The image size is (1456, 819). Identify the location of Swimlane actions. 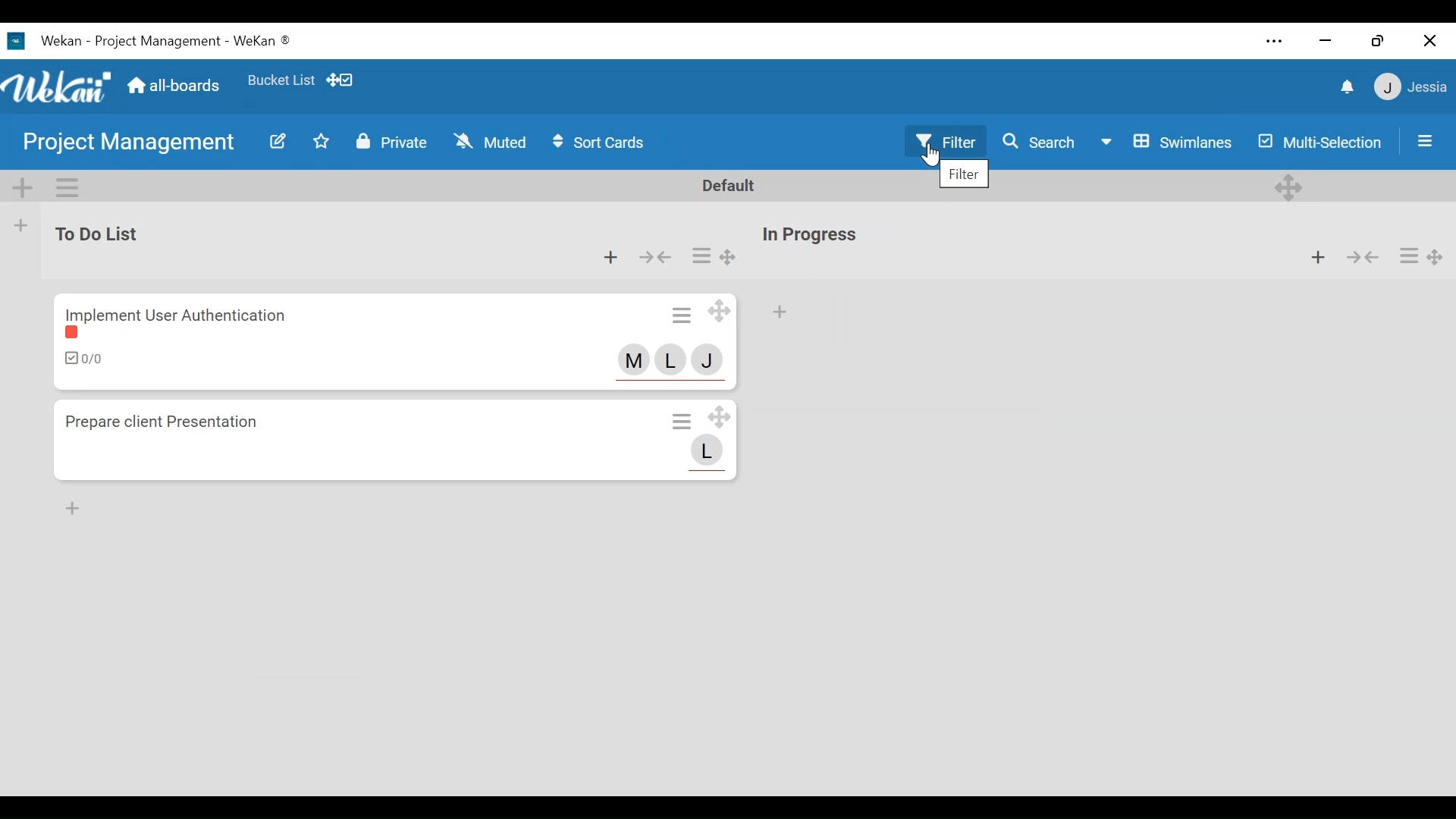
(67, 187).